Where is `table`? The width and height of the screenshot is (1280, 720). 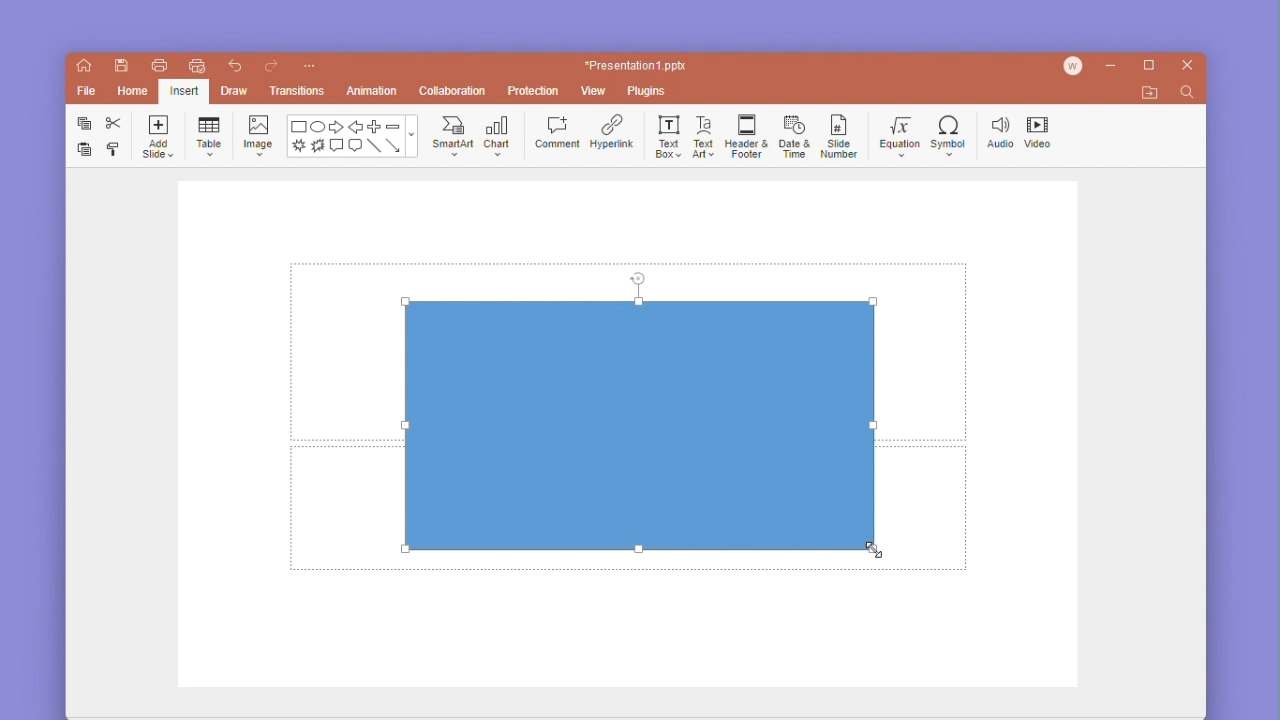 table is located at coordinates (210, 134).